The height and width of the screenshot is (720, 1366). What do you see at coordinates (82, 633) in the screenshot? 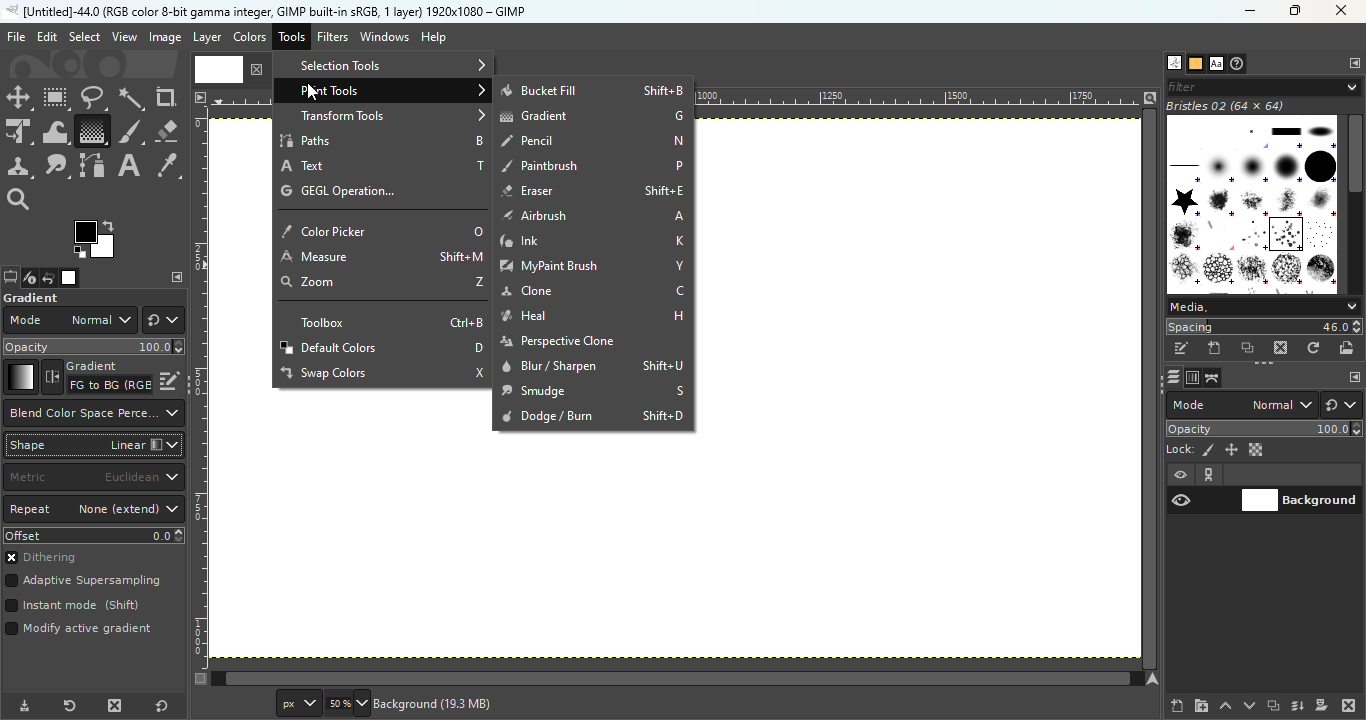
I see `Mode active gradient` at bounding box center [82, 633].